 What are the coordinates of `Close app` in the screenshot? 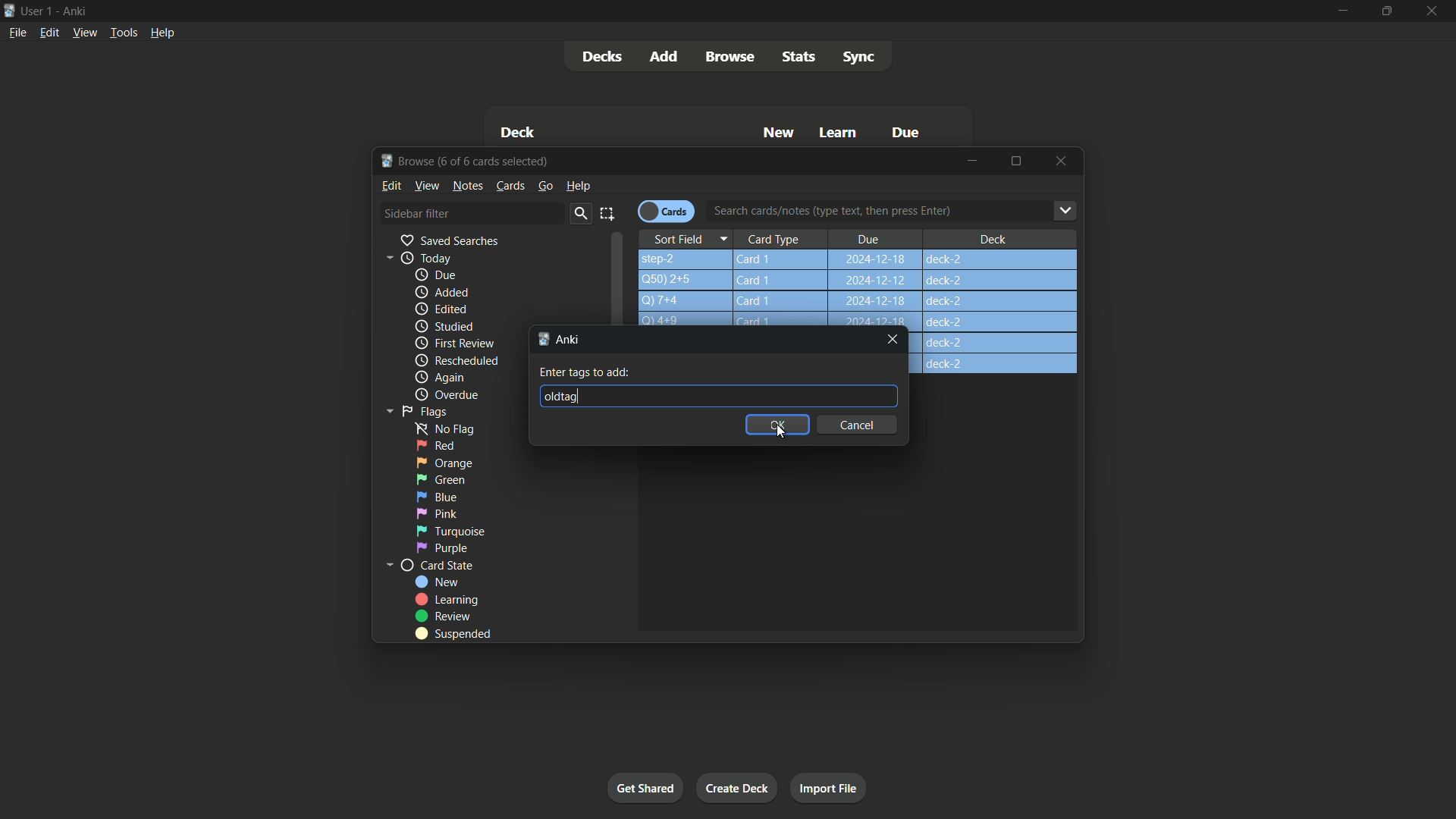 It's located at (1436, 11).